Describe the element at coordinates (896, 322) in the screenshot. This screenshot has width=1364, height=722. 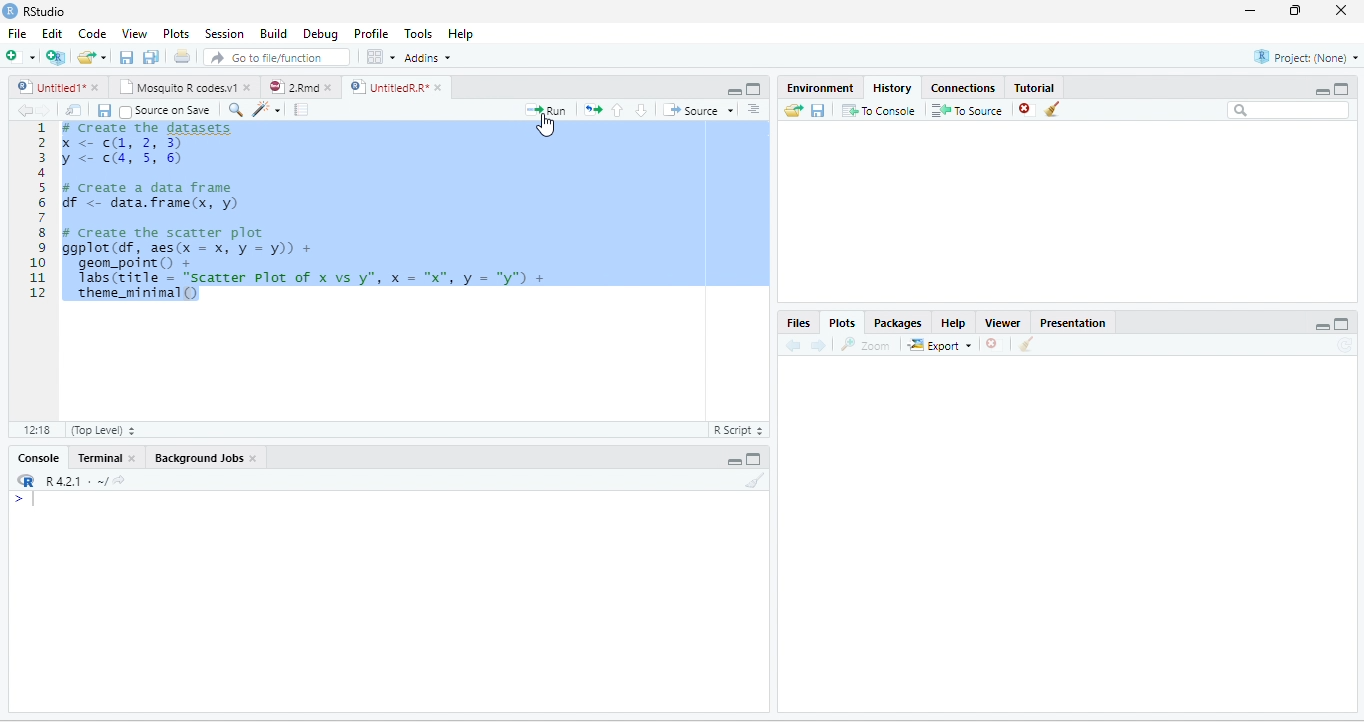
I see `Packages` at that location.